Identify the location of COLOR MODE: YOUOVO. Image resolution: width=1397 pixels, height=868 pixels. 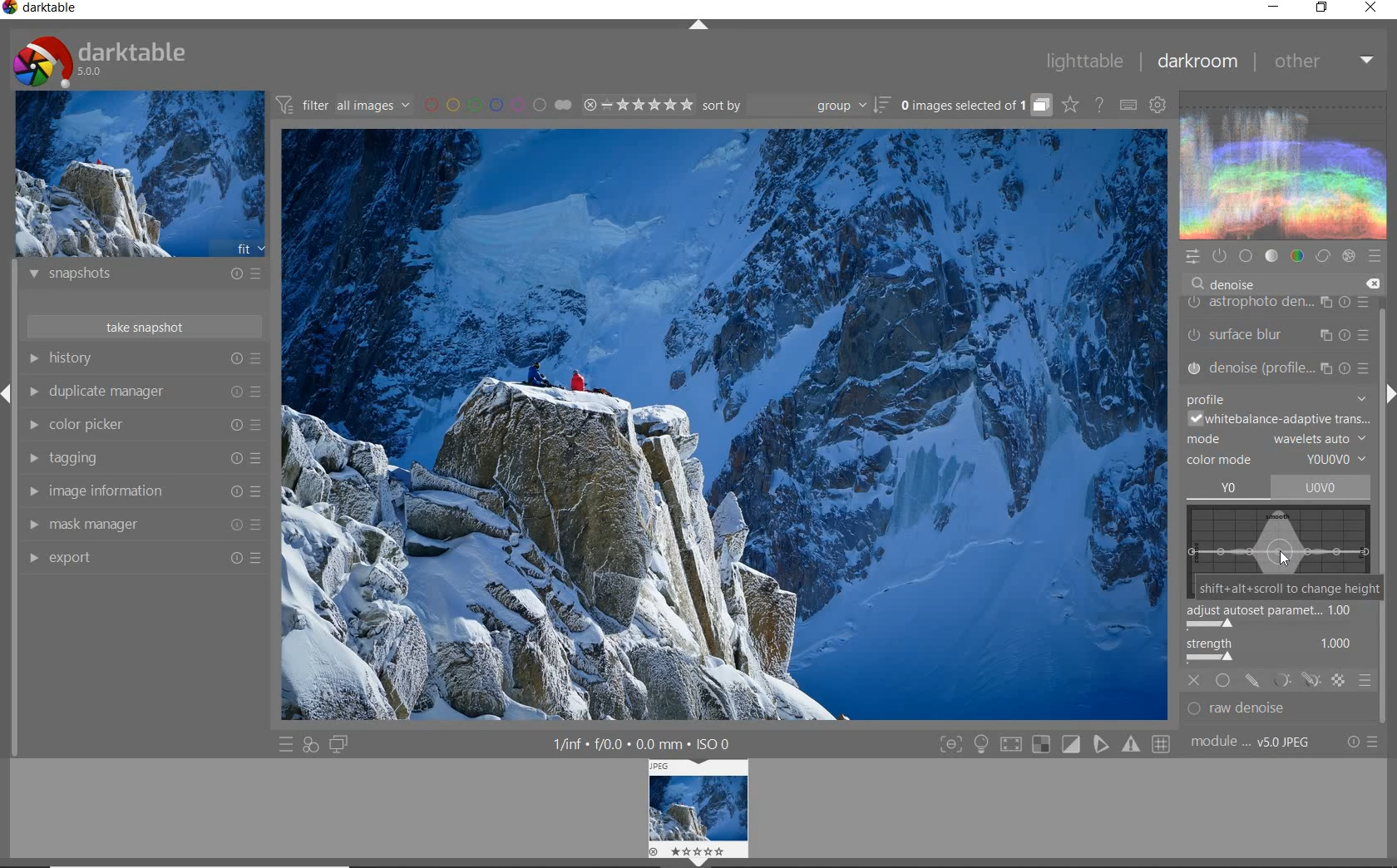
(1277, 461).